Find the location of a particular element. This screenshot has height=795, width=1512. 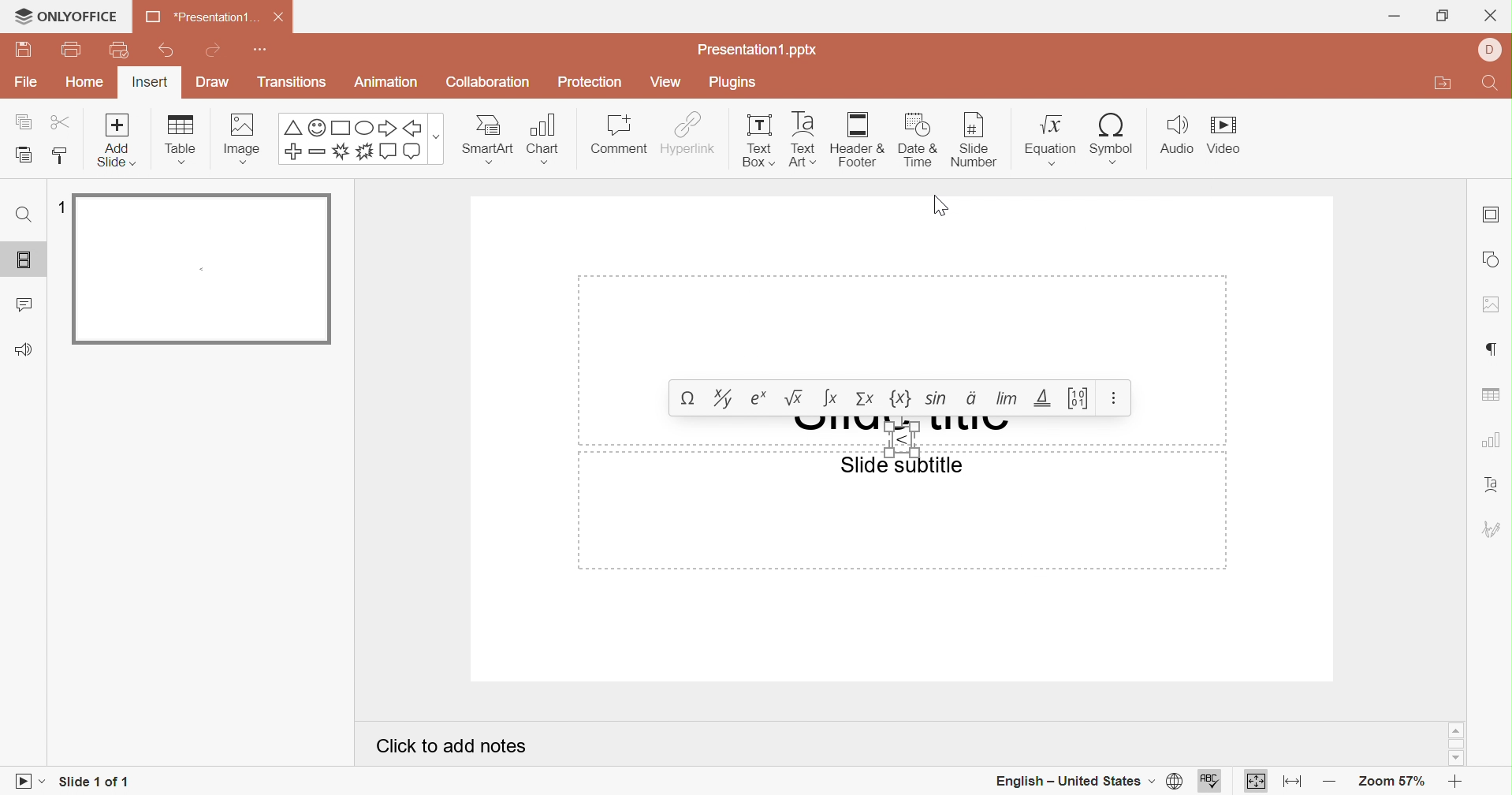

Zoom 57% is located at coordinates (1389, 780).